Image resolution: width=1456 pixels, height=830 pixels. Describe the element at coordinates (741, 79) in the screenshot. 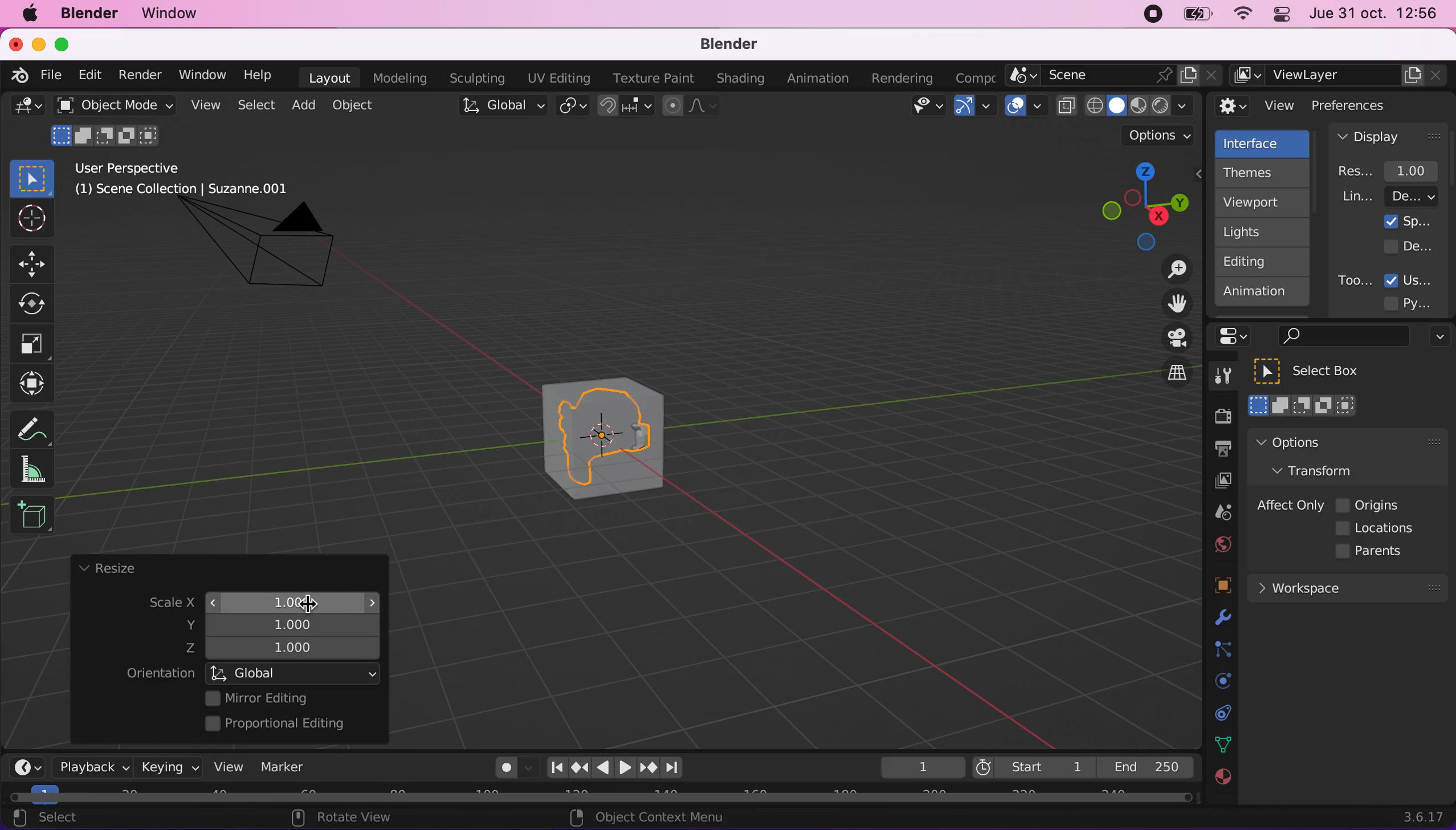

I see `shading` at that location.